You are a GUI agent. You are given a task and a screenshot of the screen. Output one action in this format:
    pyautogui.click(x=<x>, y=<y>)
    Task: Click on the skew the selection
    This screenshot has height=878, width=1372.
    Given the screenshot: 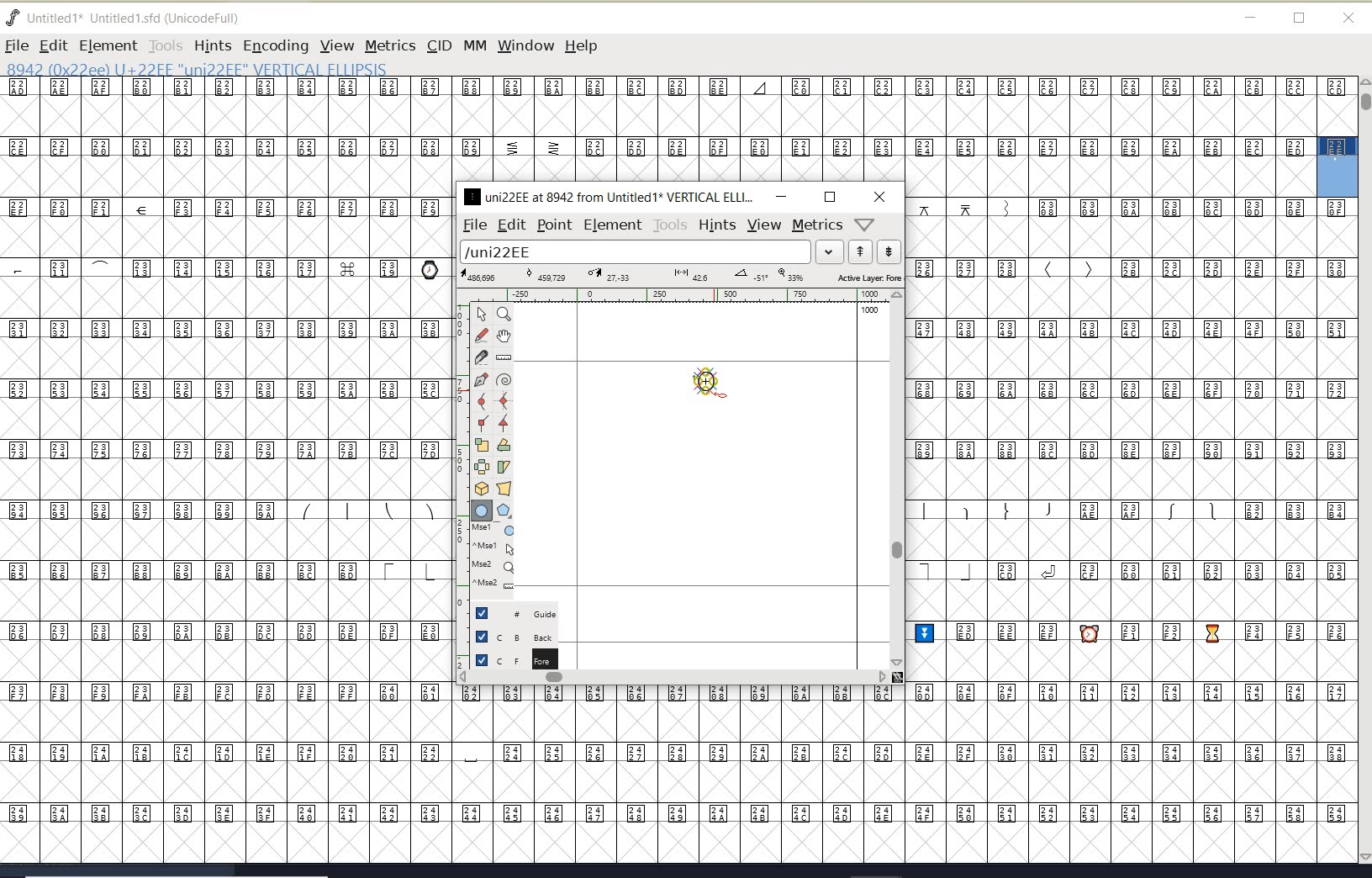 What is the action you would take?
    pyautogui.click(x=503, y=468)
    